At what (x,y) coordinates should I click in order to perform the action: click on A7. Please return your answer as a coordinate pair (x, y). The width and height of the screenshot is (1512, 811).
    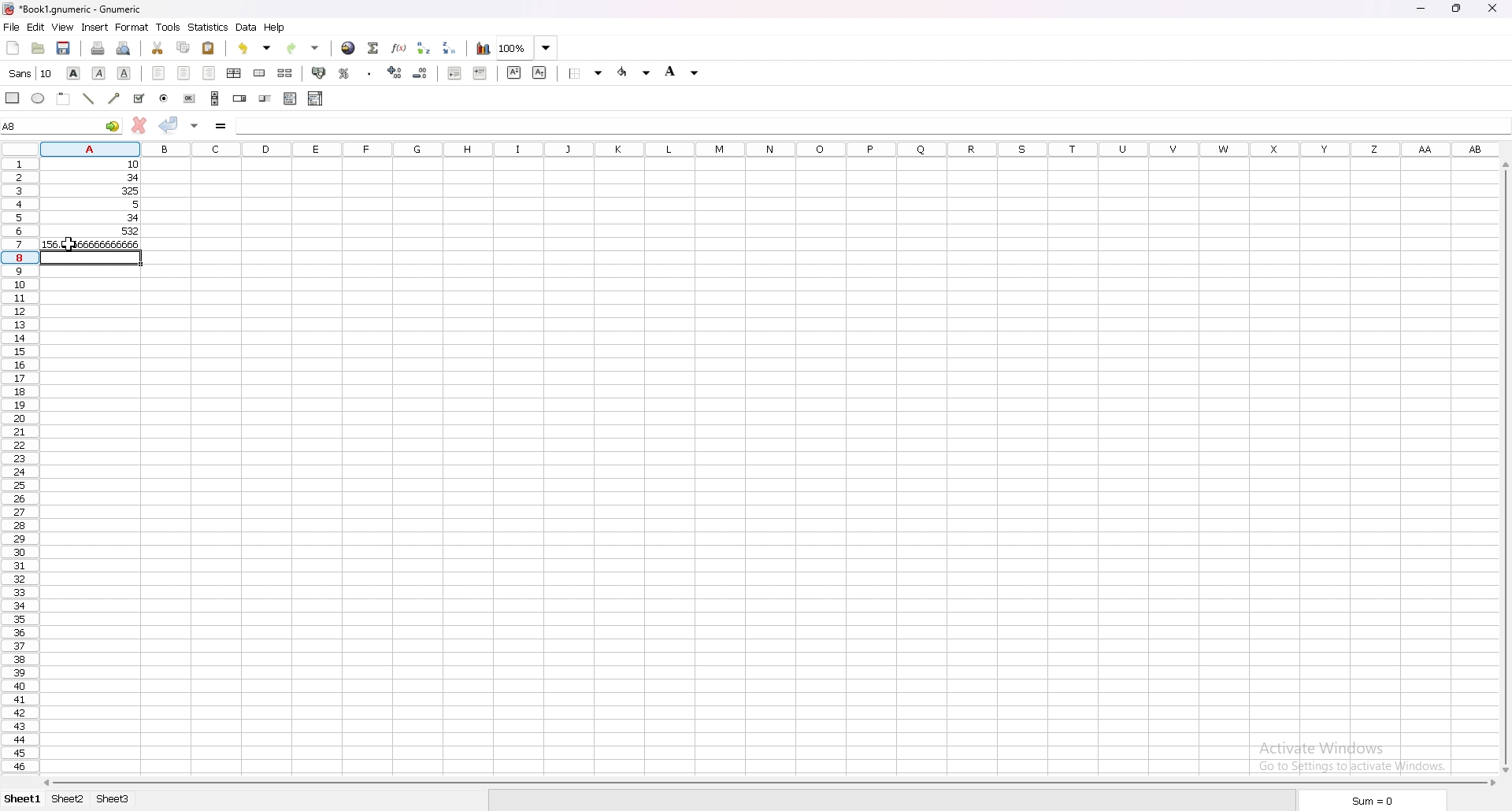
    Looking at the image, I should click on (62, 125).